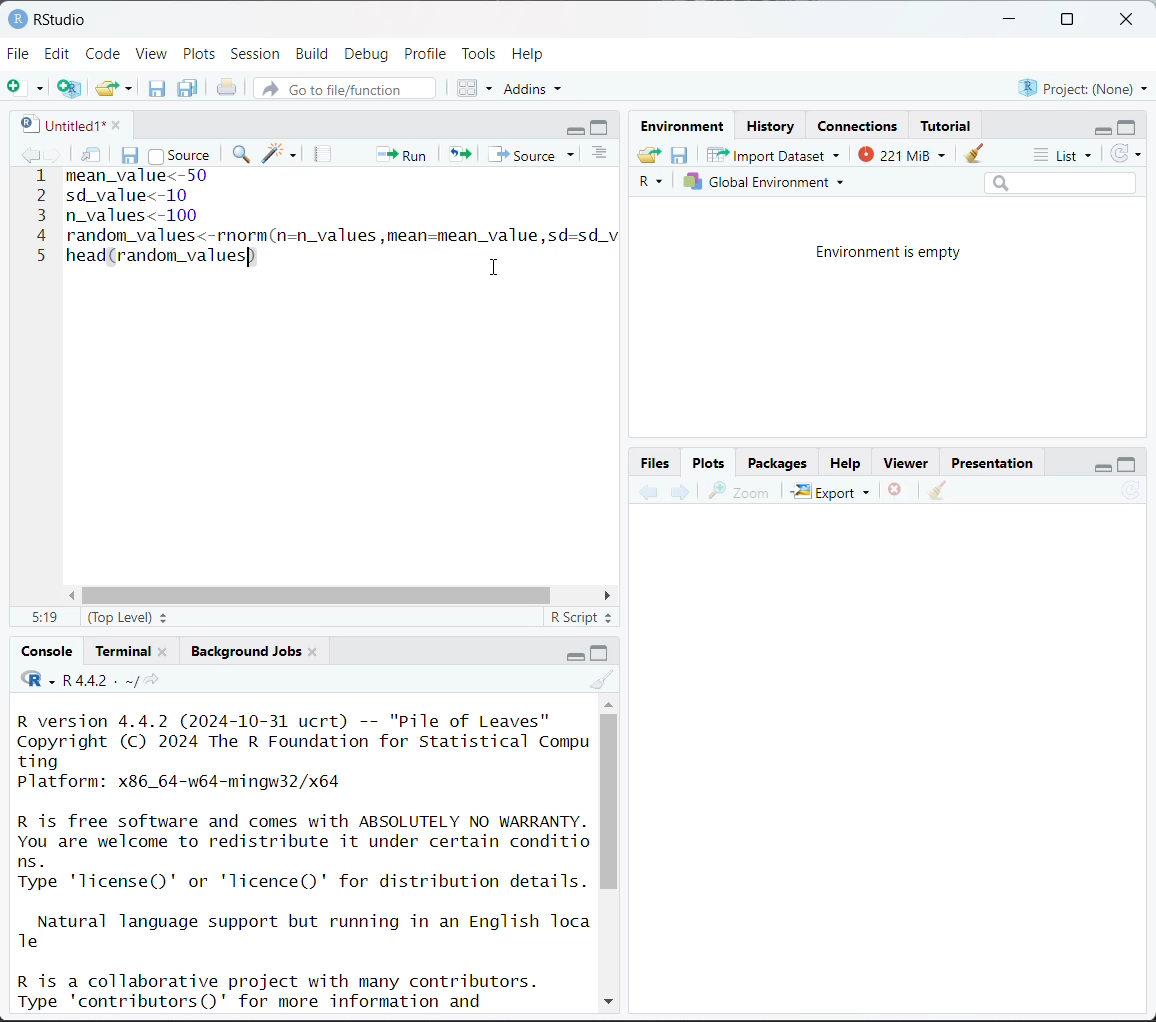 The image size is (1156, 1022). I want to click on code tools, so click(280, 153).